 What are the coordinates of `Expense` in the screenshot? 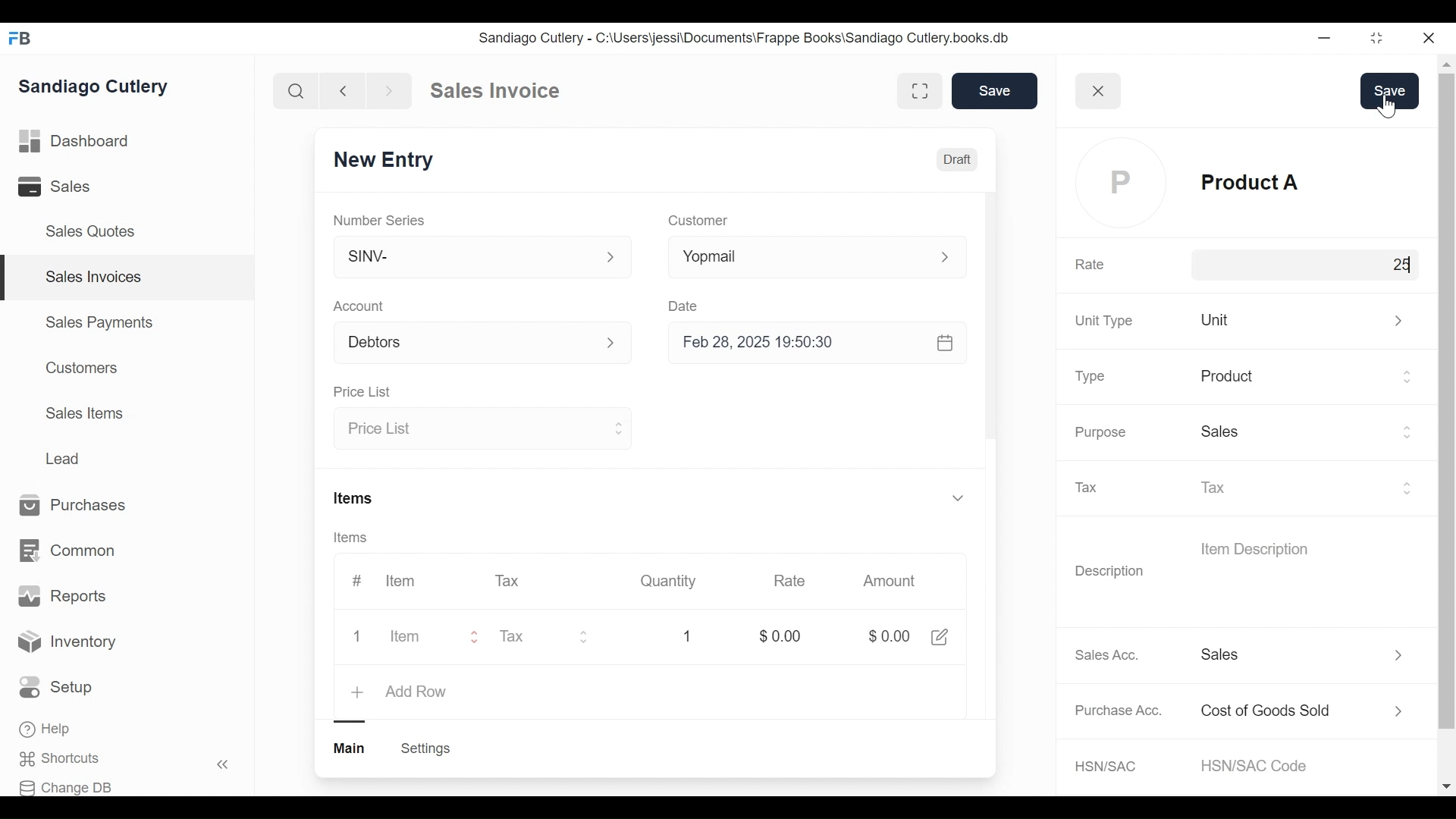 It's located at (1307, 711).